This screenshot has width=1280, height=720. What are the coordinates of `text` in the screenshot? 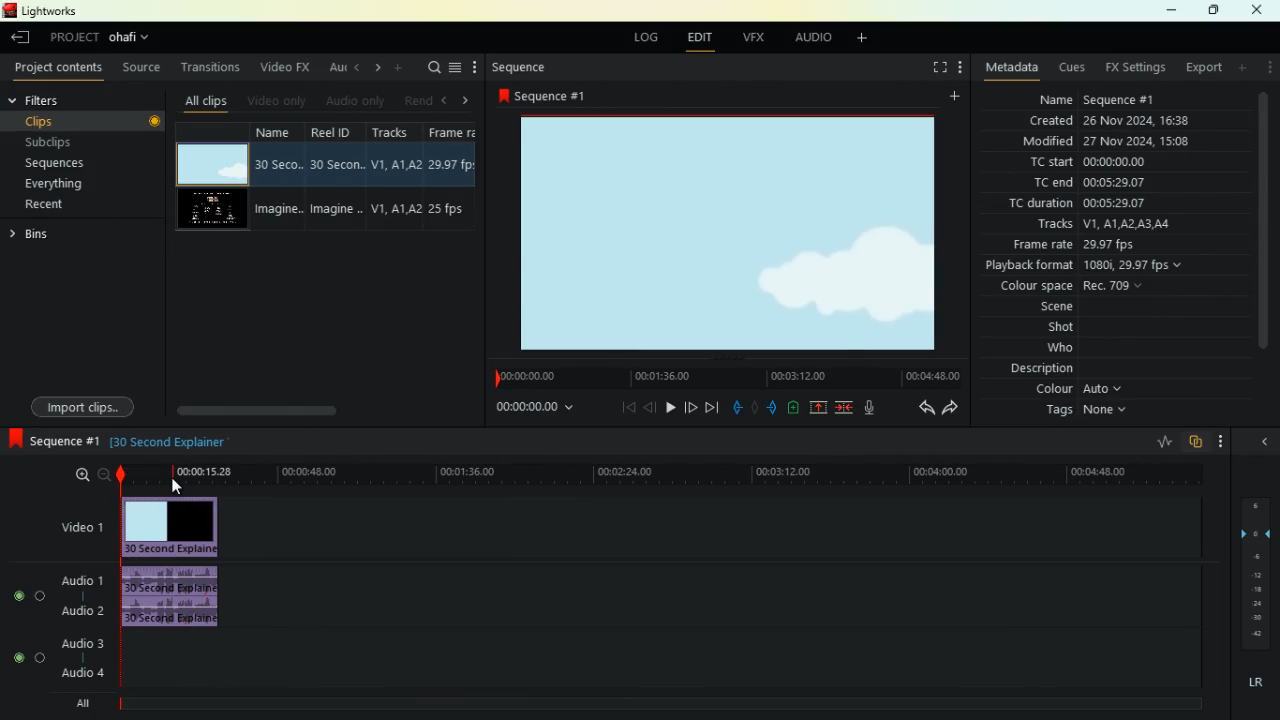 It's located at (189, 447).